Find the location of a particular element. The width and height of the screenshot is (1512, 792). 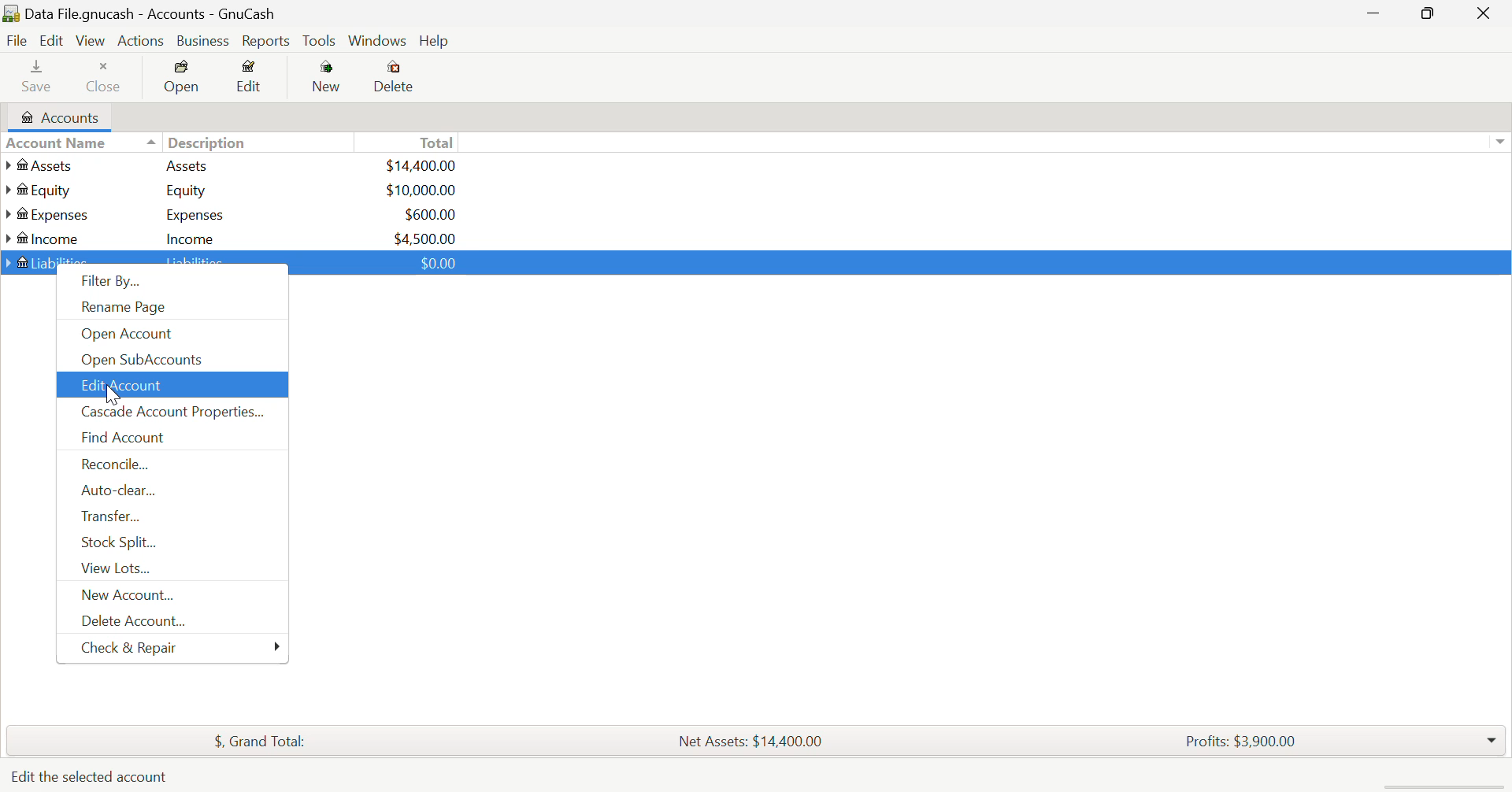

Income is located at coordinates (191, 238).